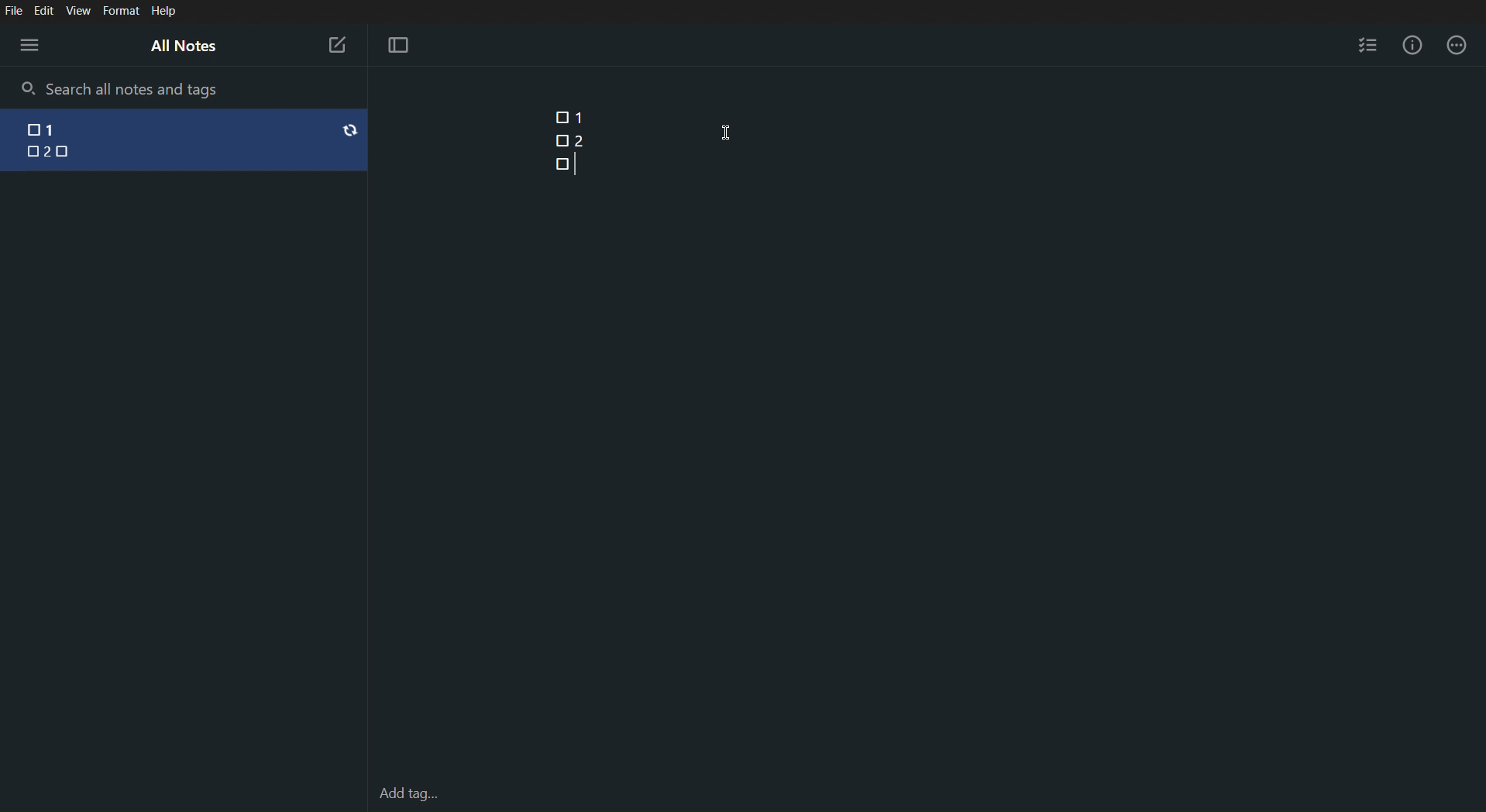 Image resolution: width=1486 pixels, height=812 pixels. I want to click on Search all notes and tags, so click(138, 88).